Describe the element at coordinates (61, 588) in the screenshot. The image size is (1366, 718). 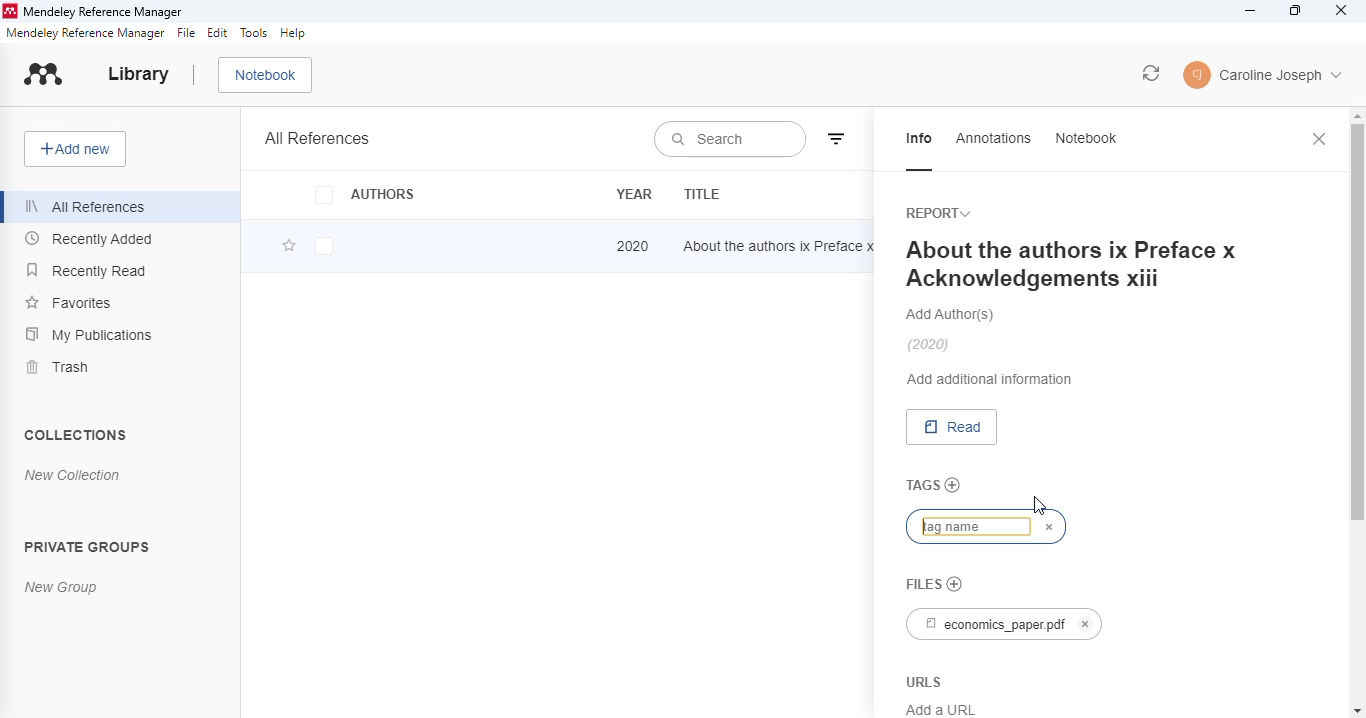
I see `new group` at that location.